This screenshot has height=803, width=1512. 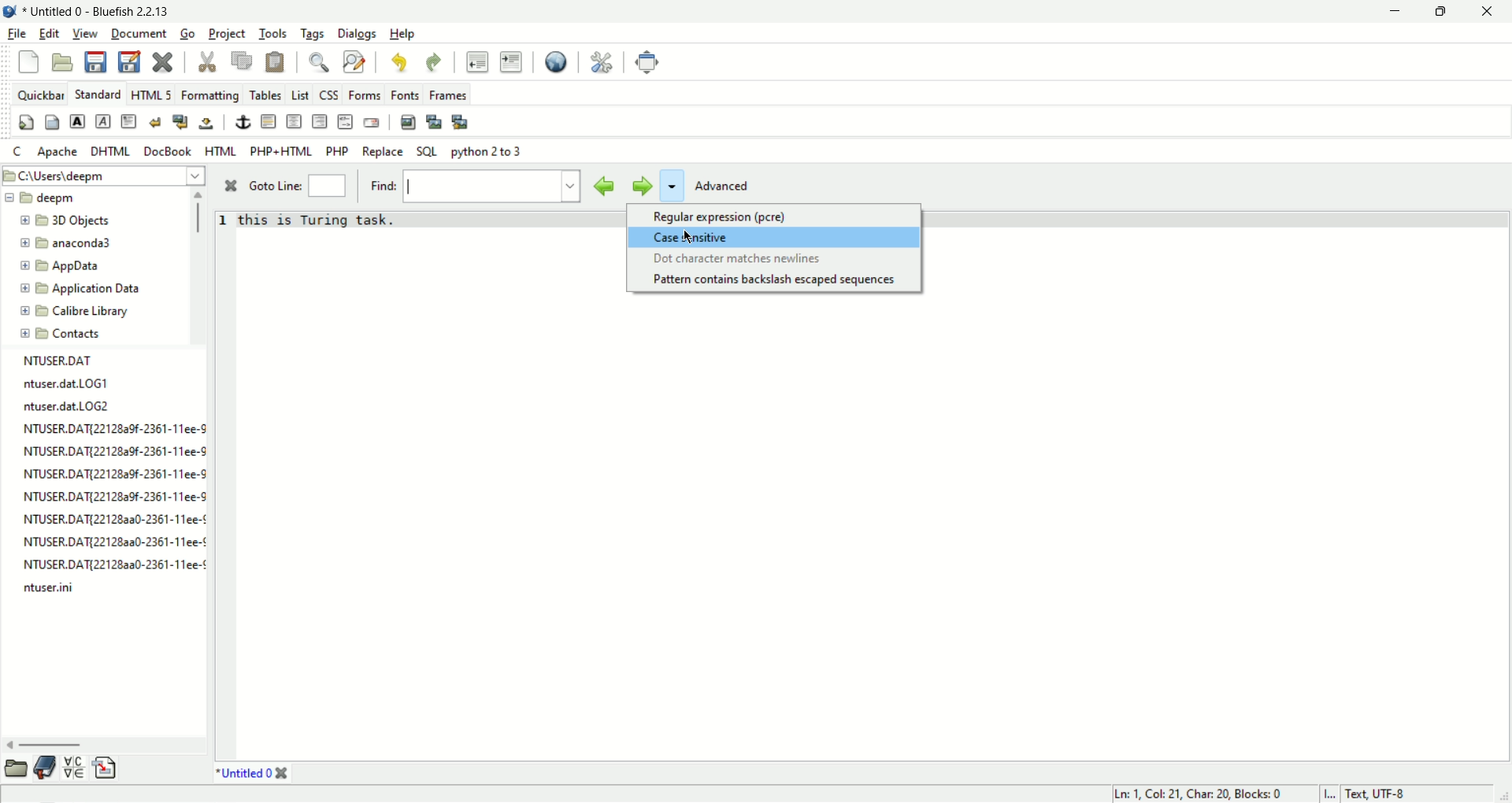 I want to click on file, so click(x=15, y=35).